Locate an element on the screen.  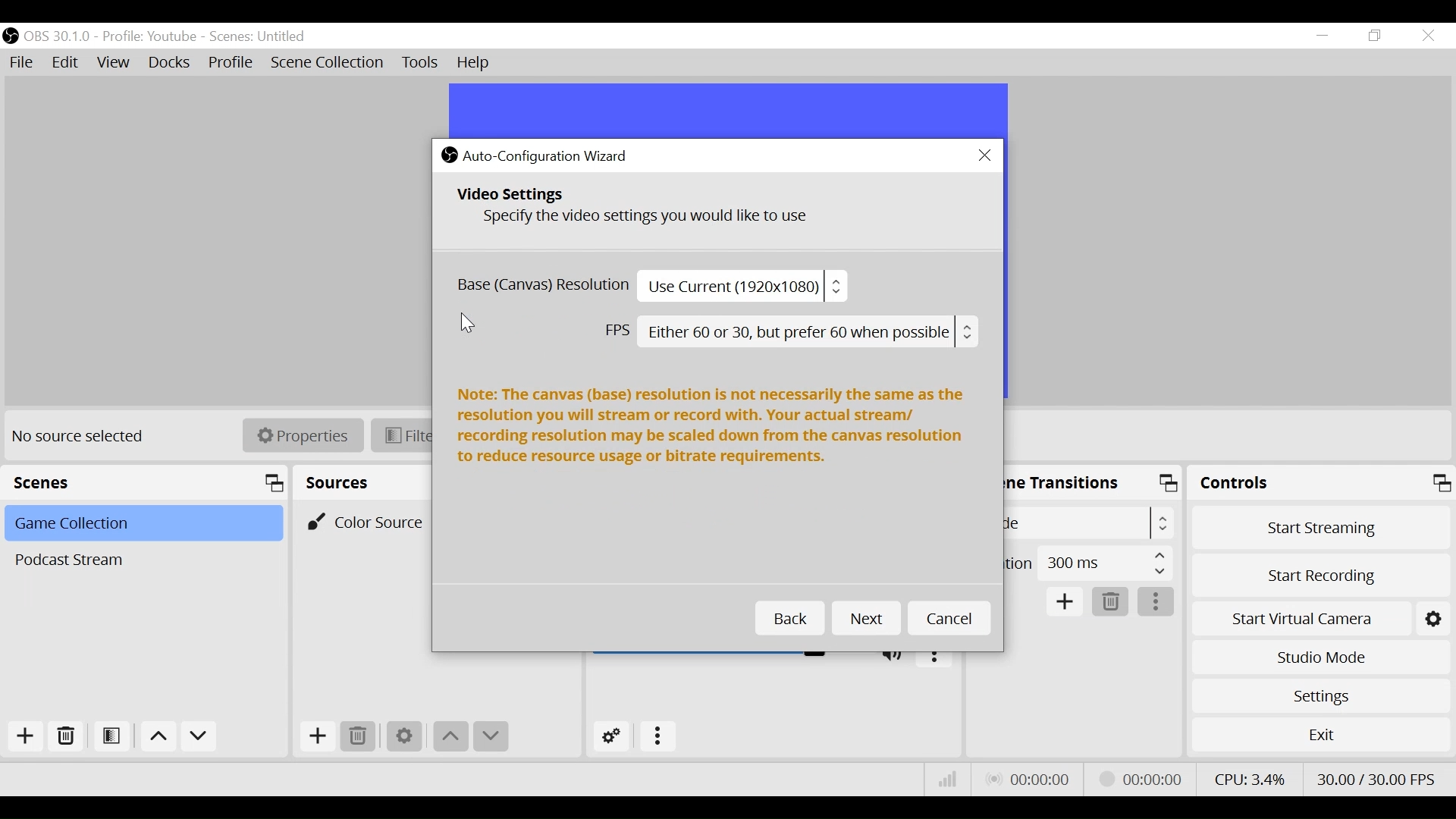
Settings is located at coordinates (1318, 696).